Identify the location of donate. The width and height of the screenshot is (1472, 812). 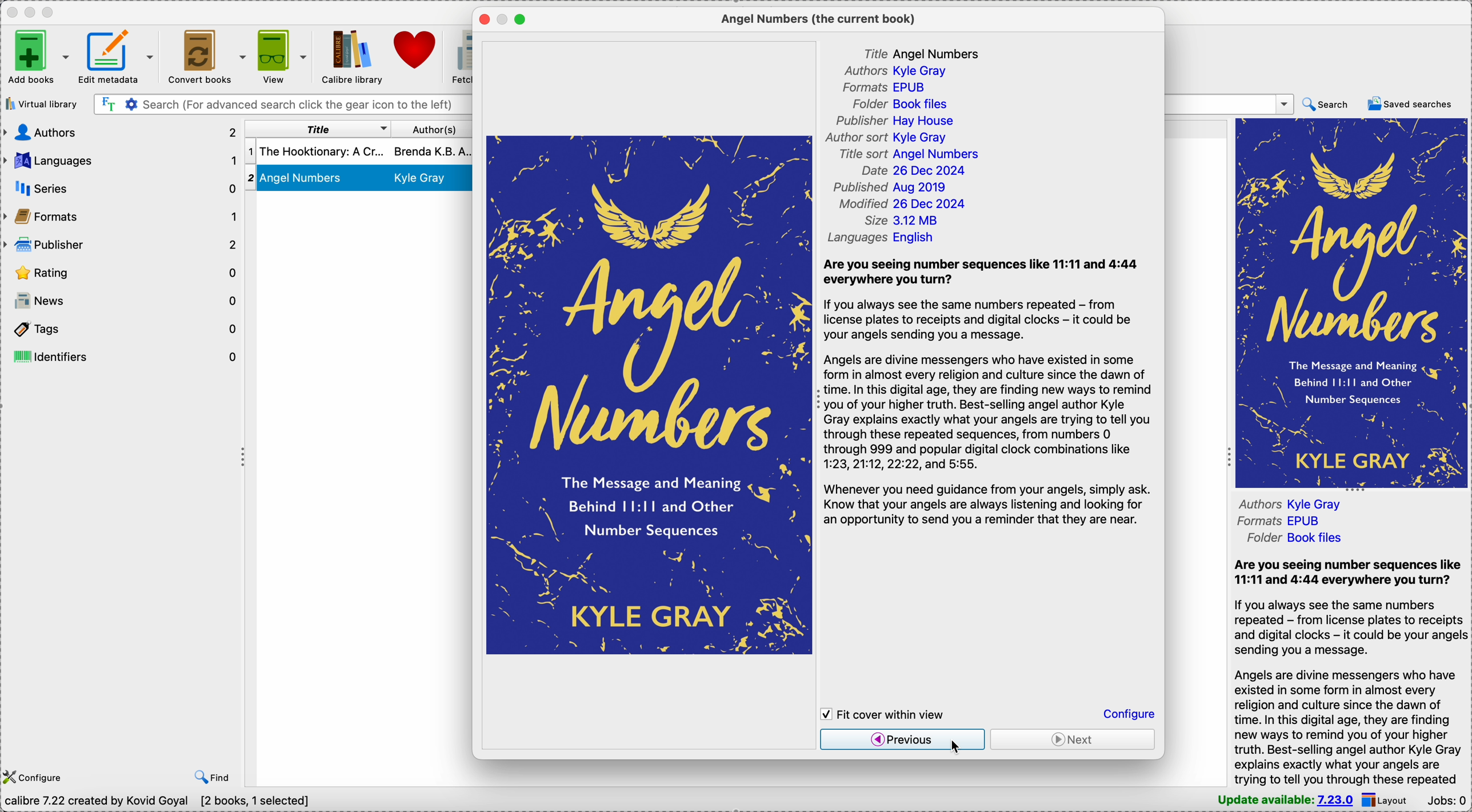
(417, 49).